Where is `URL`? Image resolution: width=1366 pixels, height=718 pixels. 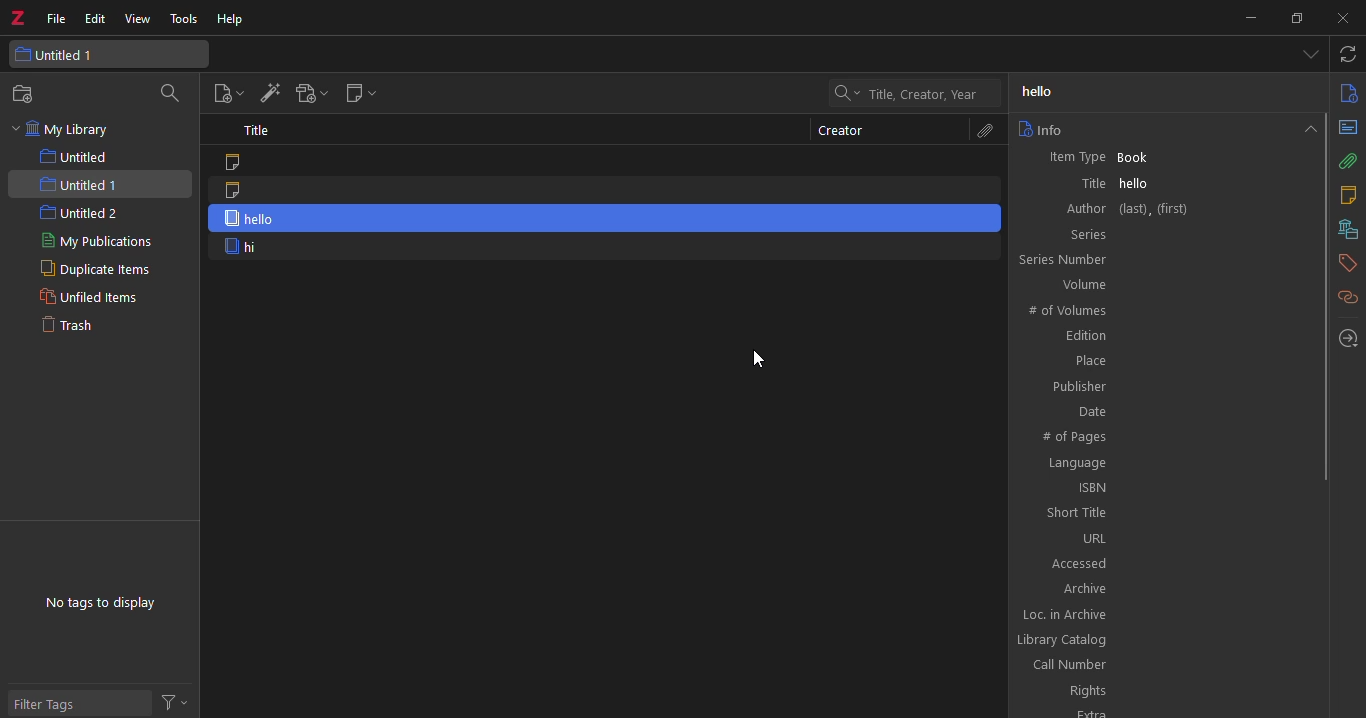 URL is located at coordinates (1165, 538).